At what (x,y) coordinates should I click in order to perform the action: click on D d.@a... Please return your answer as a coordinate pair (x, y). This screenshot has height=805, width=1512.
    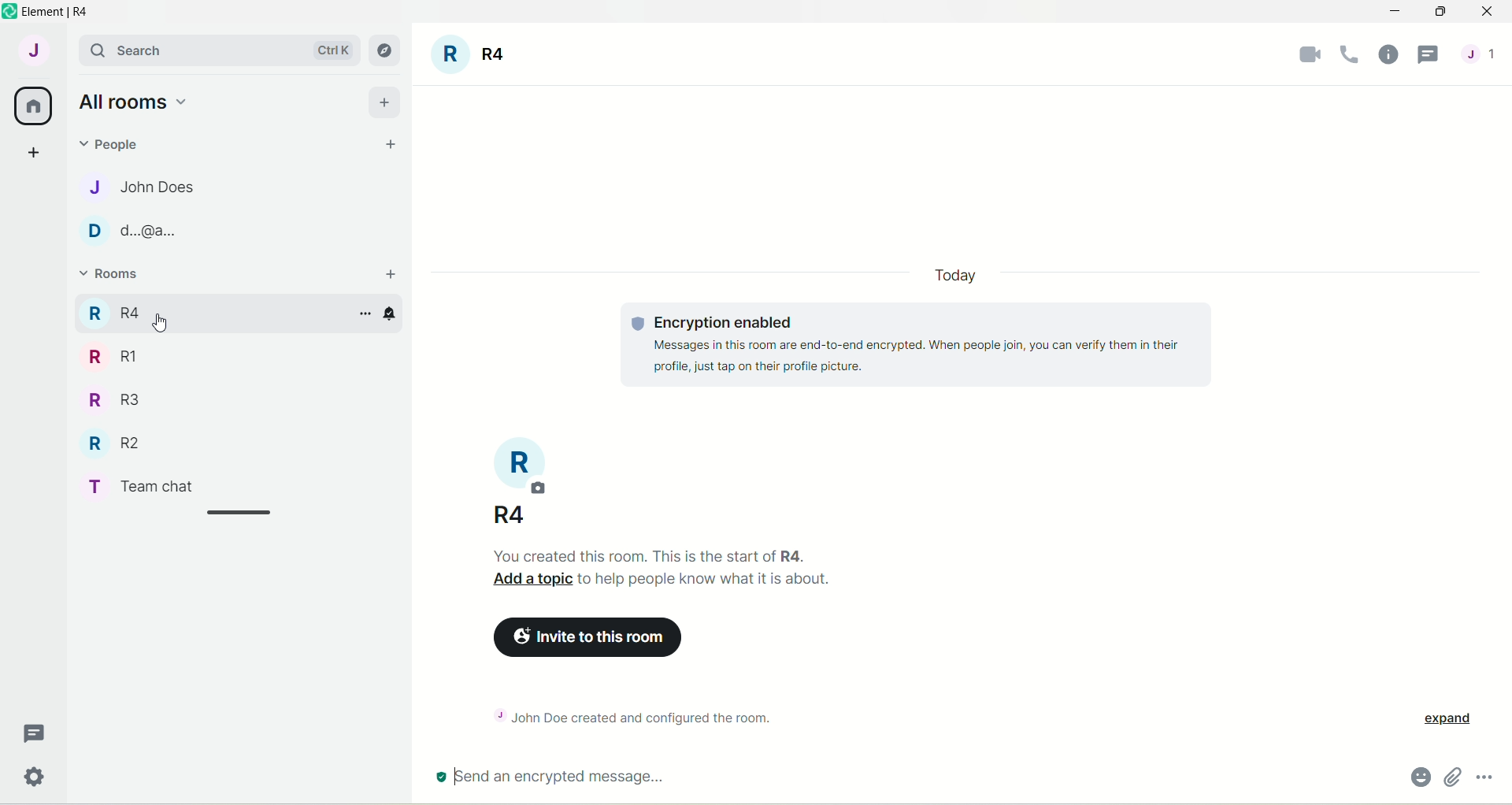
    Looking at the image, I should click on (127, 231).